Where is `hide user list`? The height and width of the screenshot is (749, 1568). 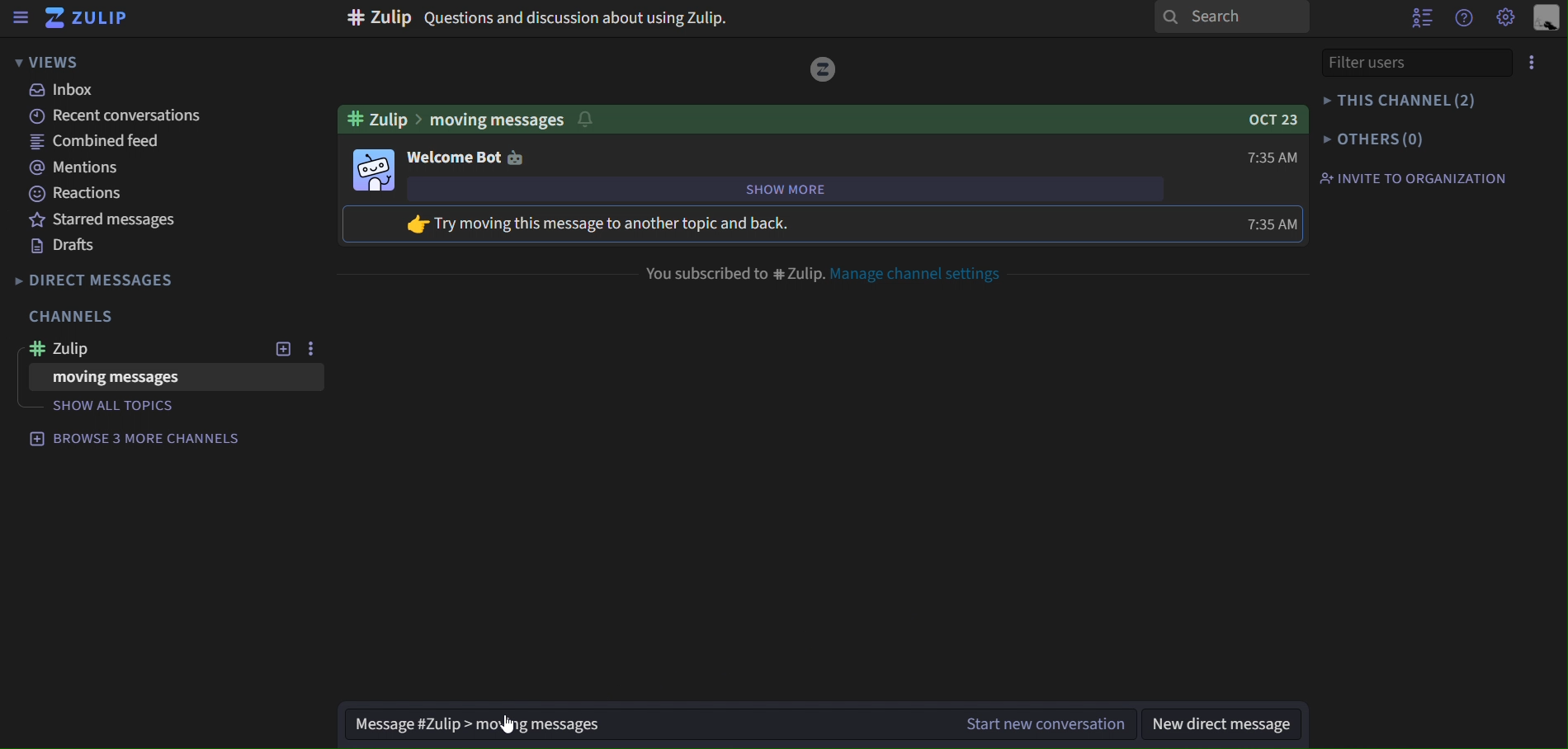 hide user list is located at coordinates (1418, 17).